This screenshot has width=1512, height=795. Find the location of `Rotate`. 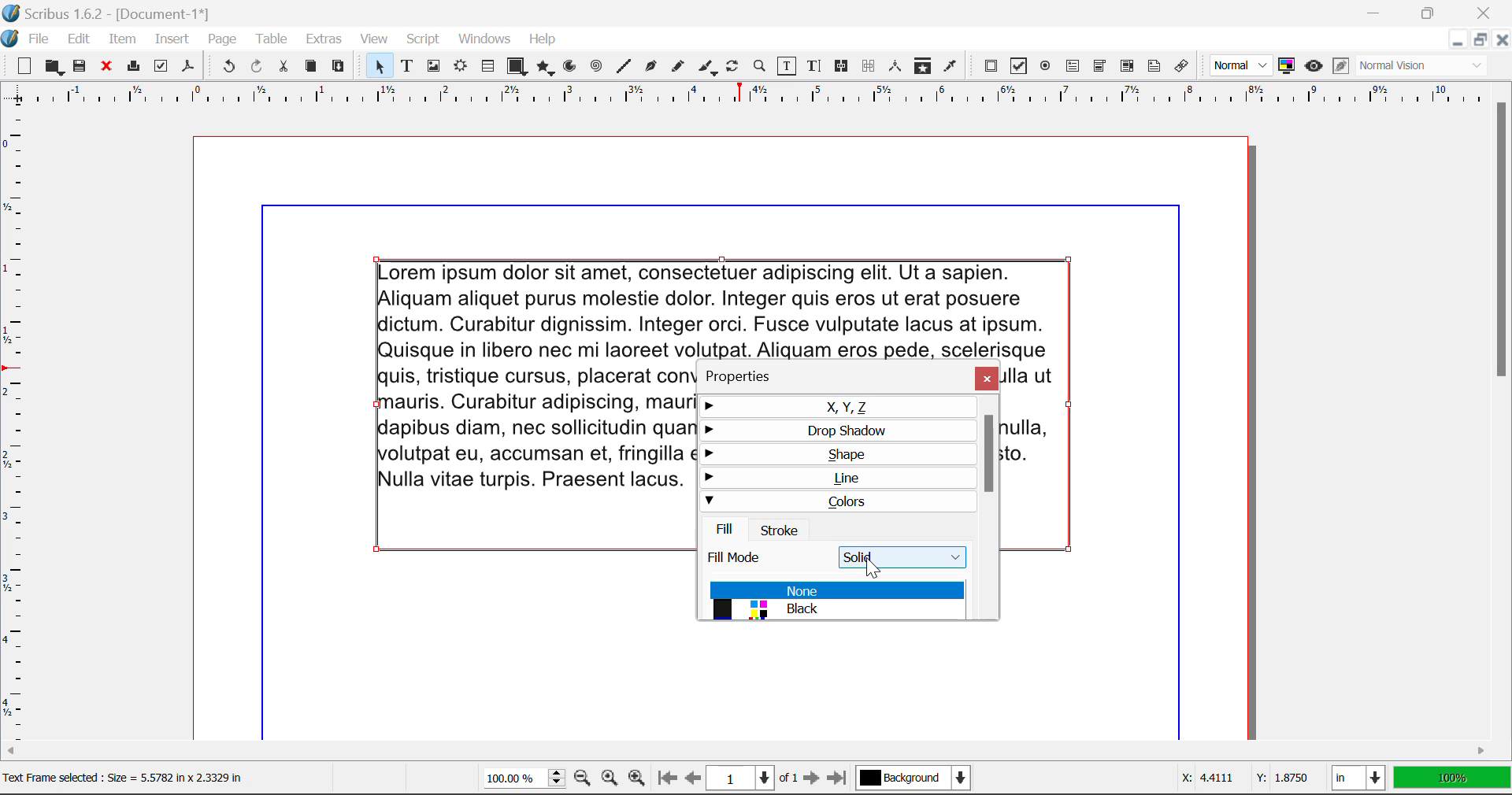

Rotate is located at coordinates (733, 66).